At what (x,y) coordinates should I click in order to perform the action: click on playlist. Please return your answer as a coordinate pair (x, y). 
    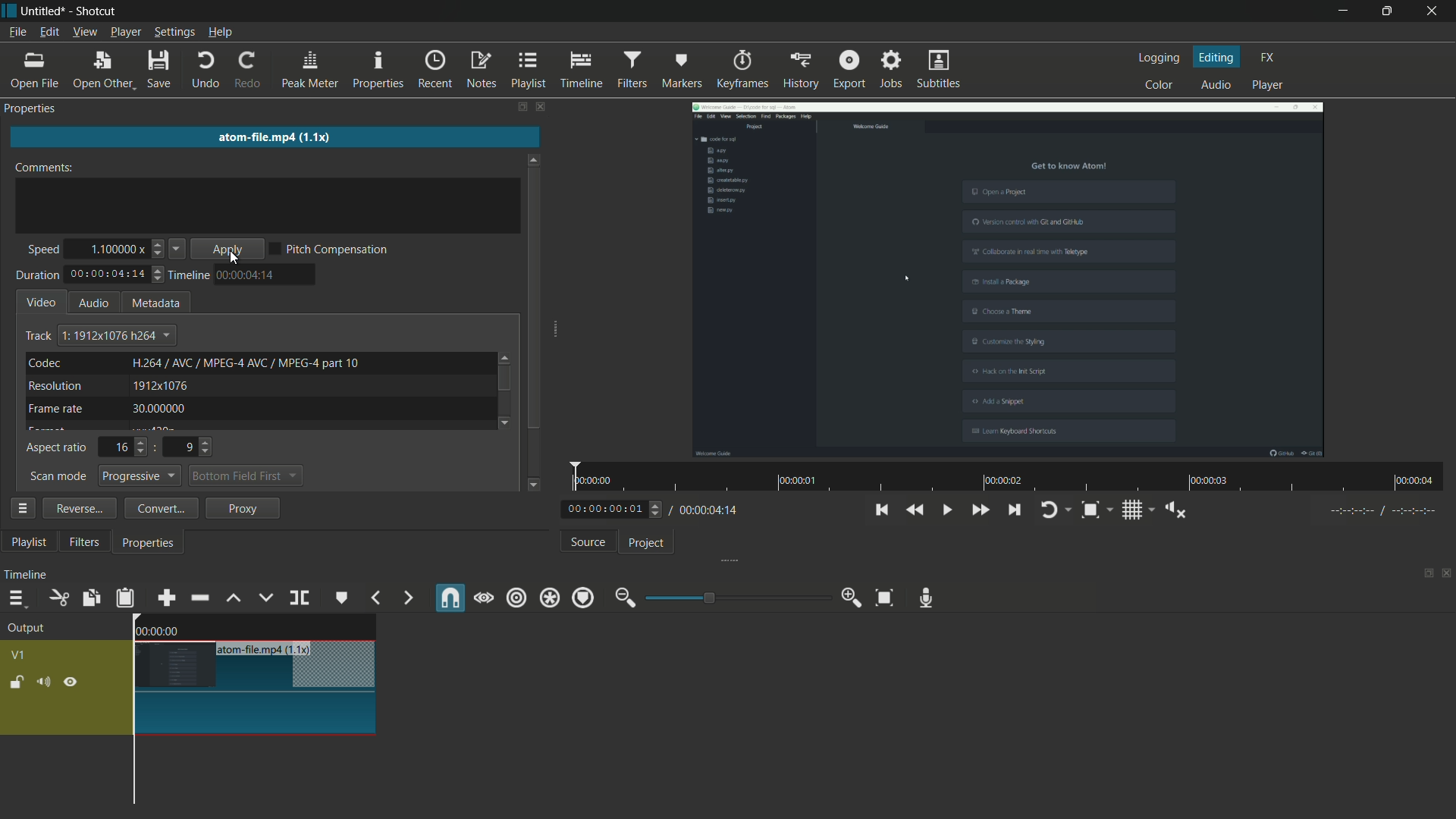
    Looking at the image, I should click on (529, 70).